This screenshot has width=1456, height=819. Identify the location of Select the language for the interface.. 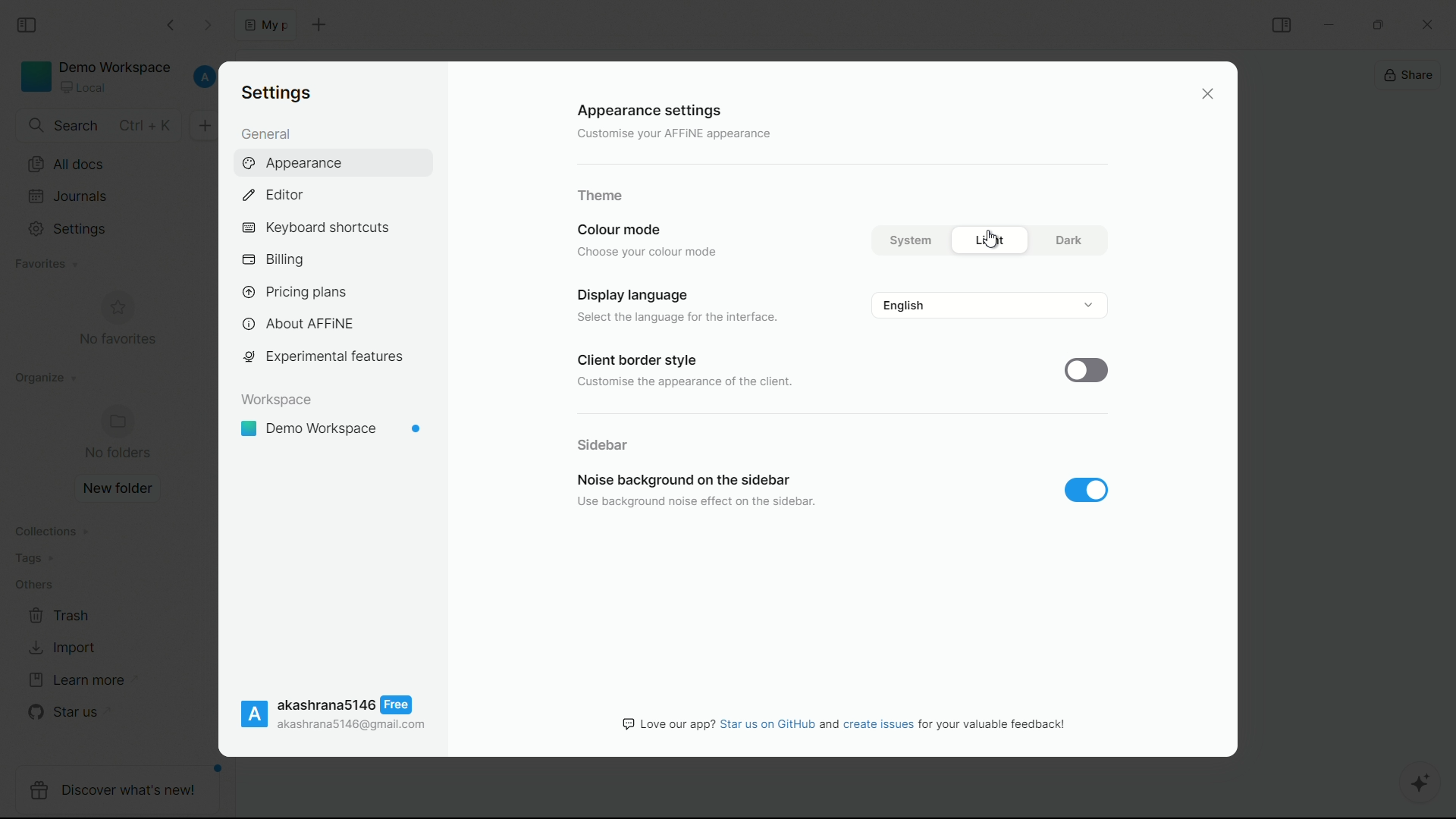
(674, 318).